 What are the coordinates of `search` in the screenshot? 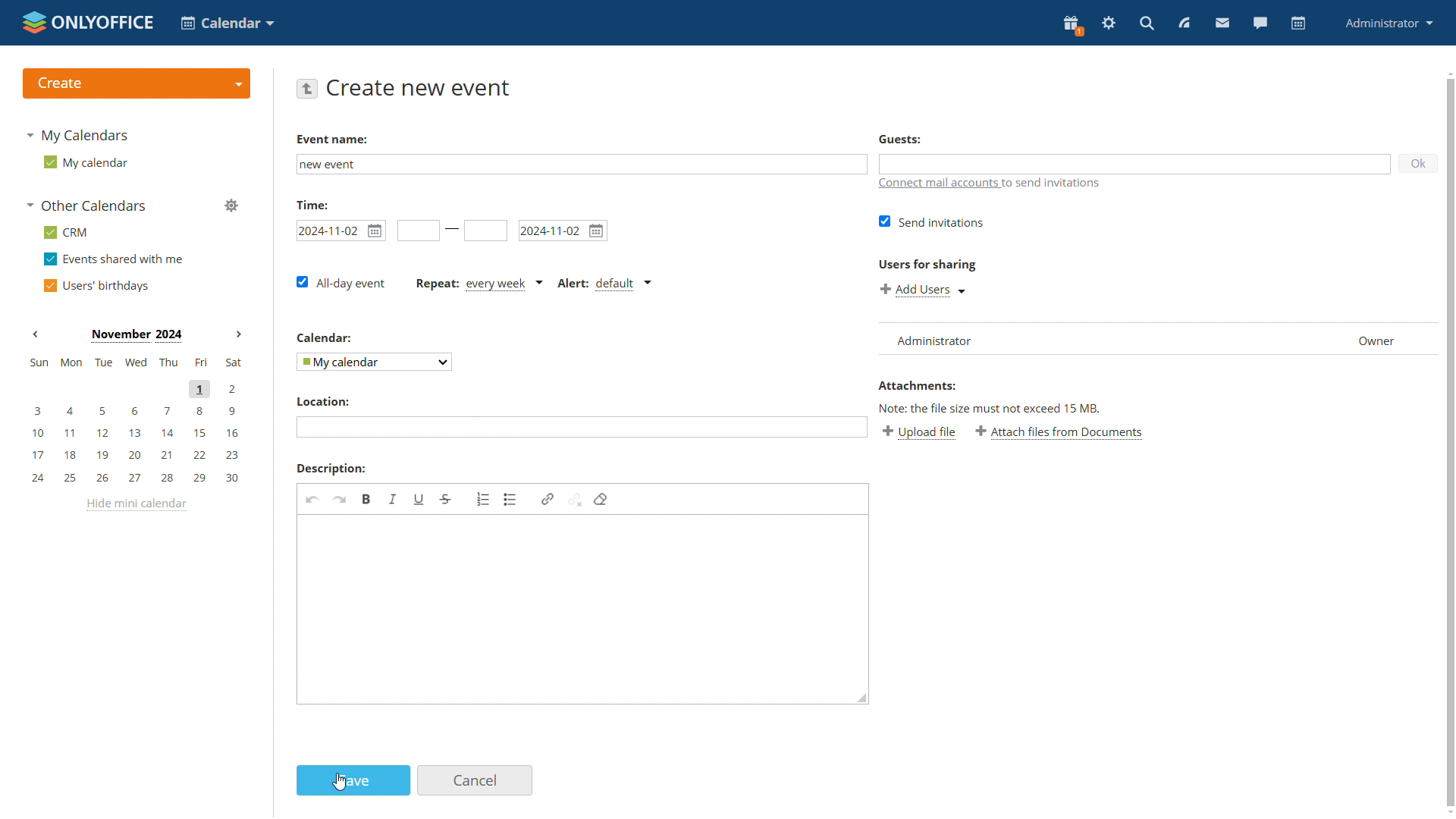 It's located at (1148, 23).